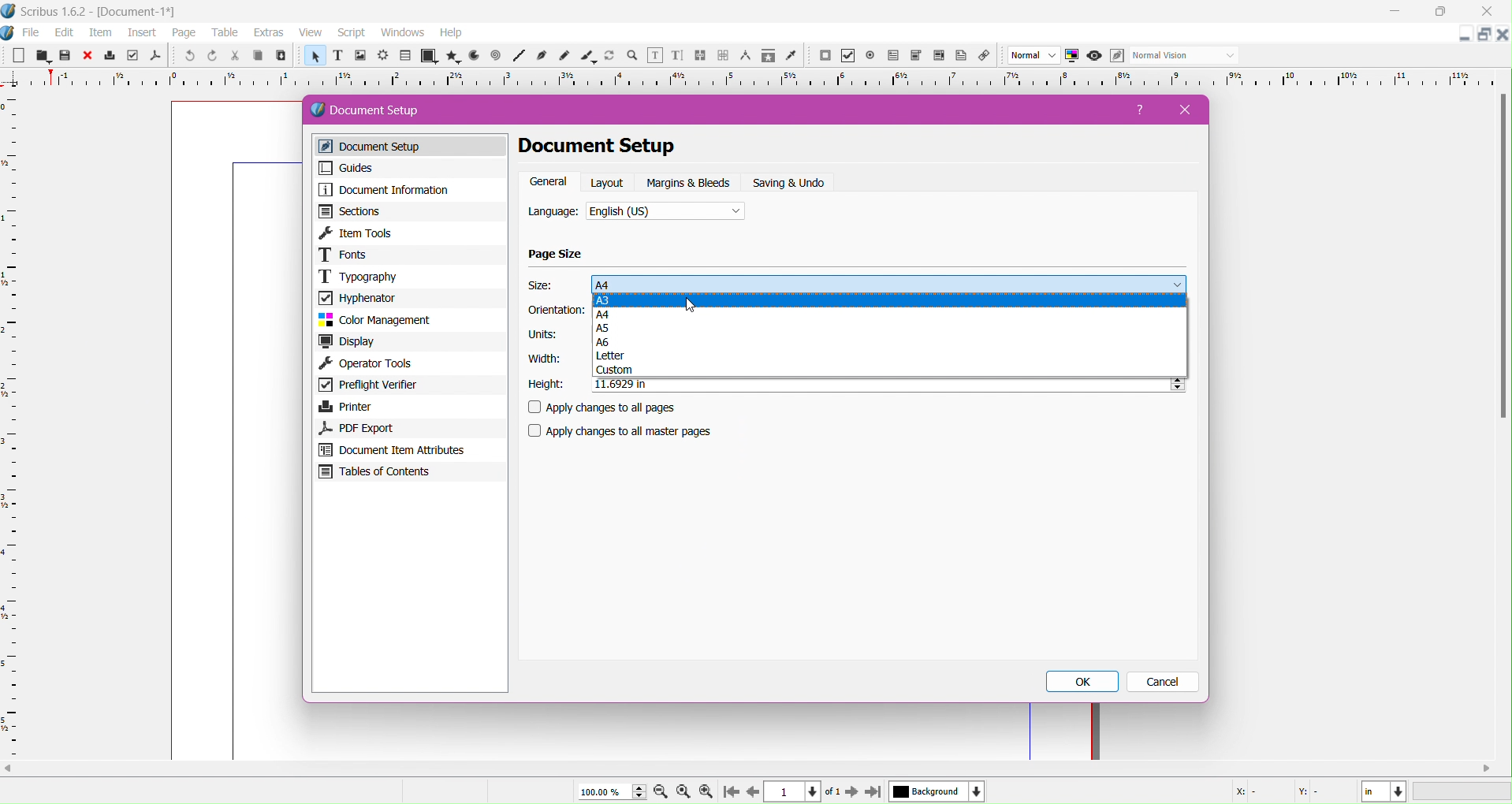 Image resolution: width=1512 pixels, height=804 pixels. Describe the element at coordinates (1142, 113) in the screenshot. I see `Help` at that location.